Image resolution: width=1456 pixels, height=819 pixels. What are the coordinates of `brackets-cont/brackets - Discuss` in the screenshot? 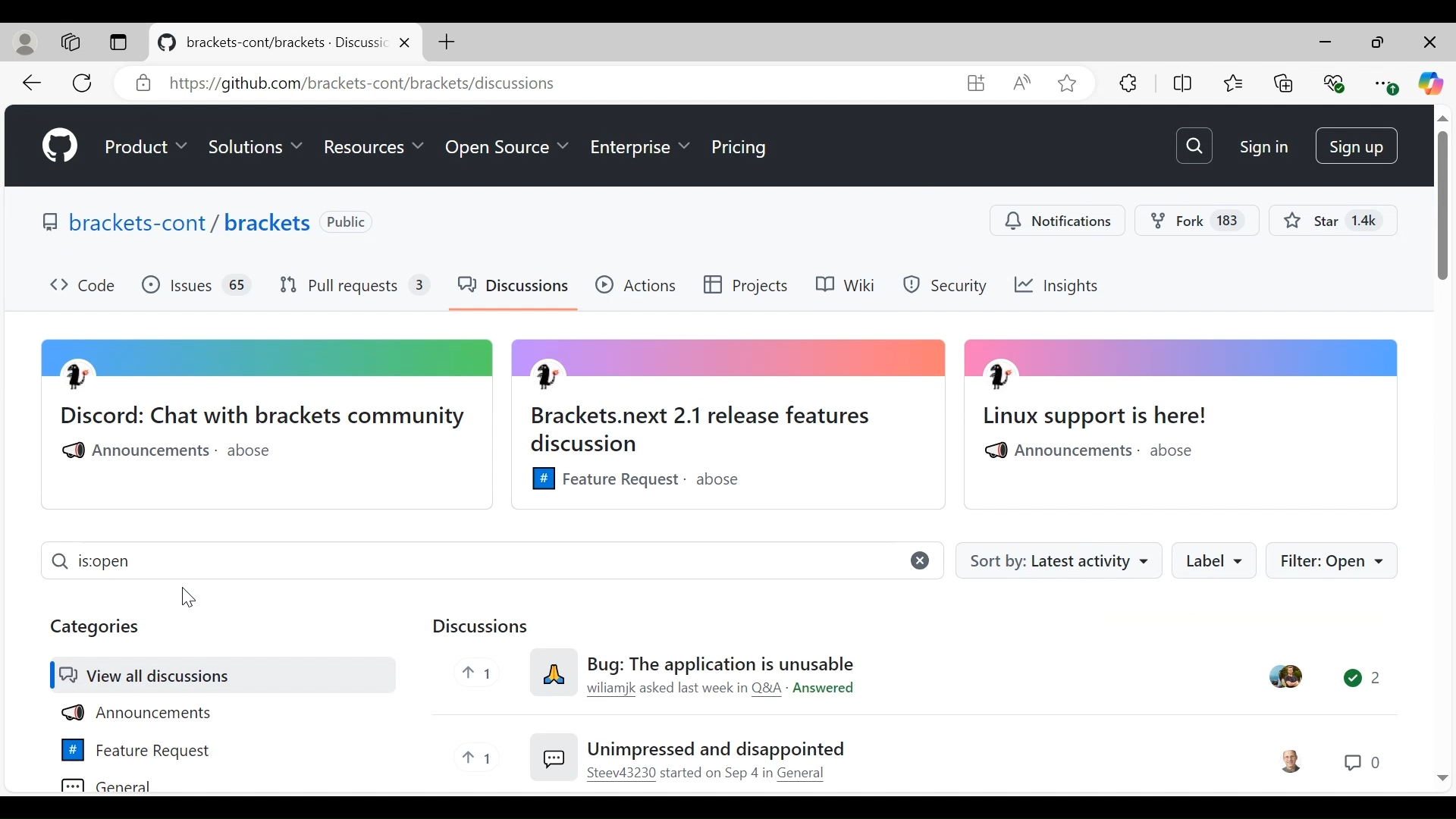 It's located at (284, 43).